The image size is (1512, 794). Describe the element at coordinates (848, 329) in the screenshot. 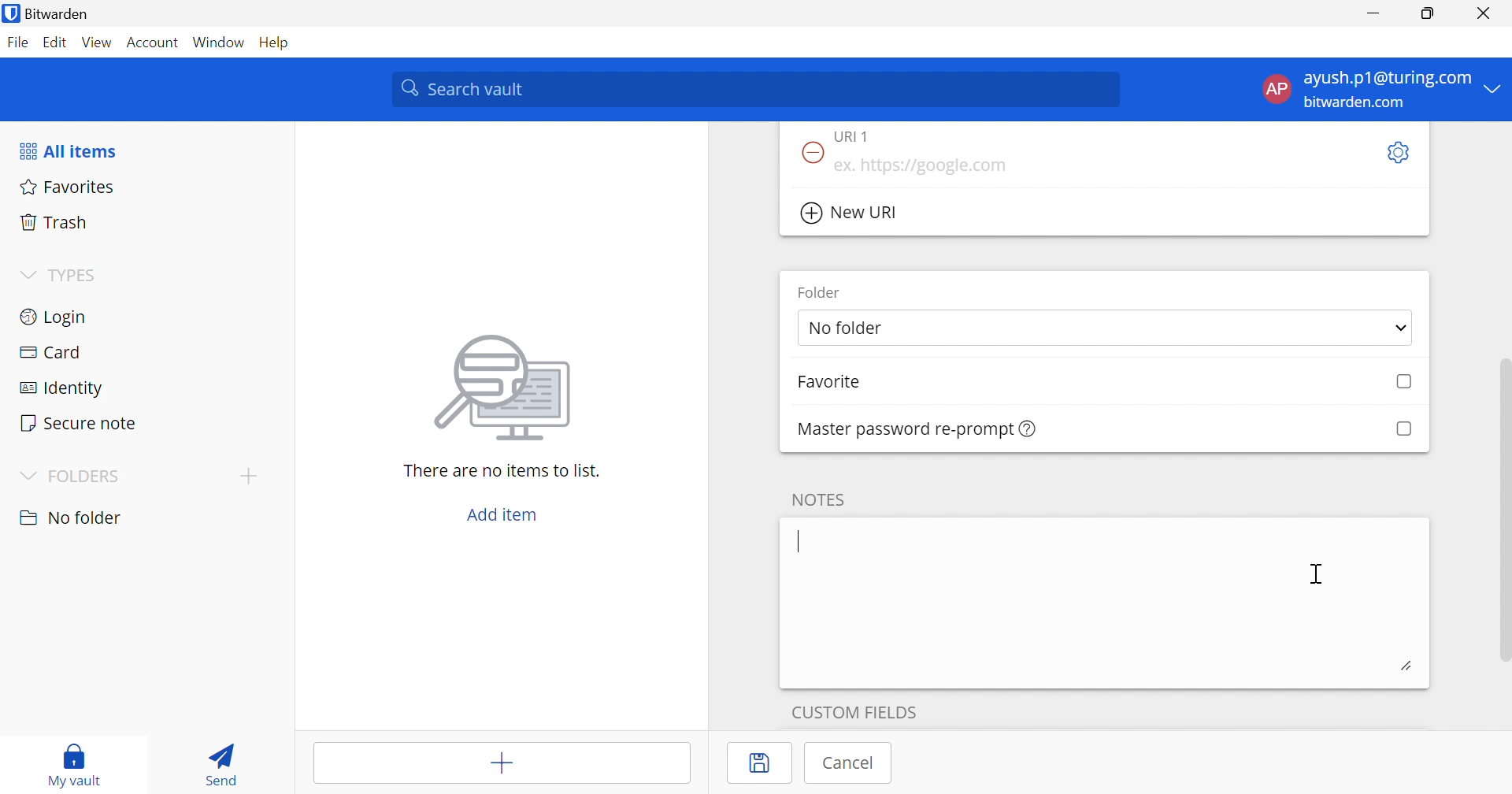

I see `No folder` at that location.